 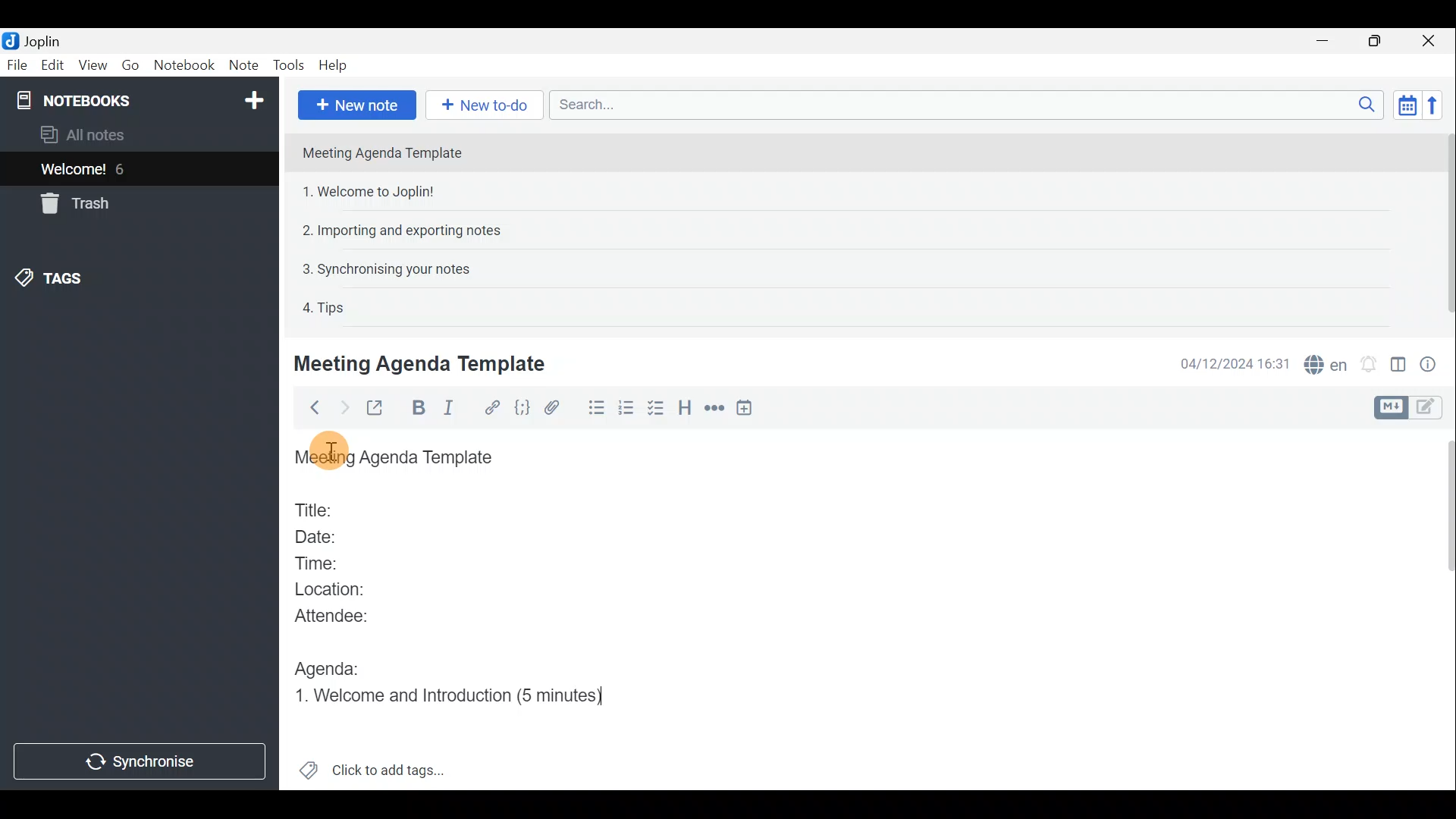 What do you see at coordinates (130, 65) in the screenshot?
I see `Go` at bounding box center [130, 65].